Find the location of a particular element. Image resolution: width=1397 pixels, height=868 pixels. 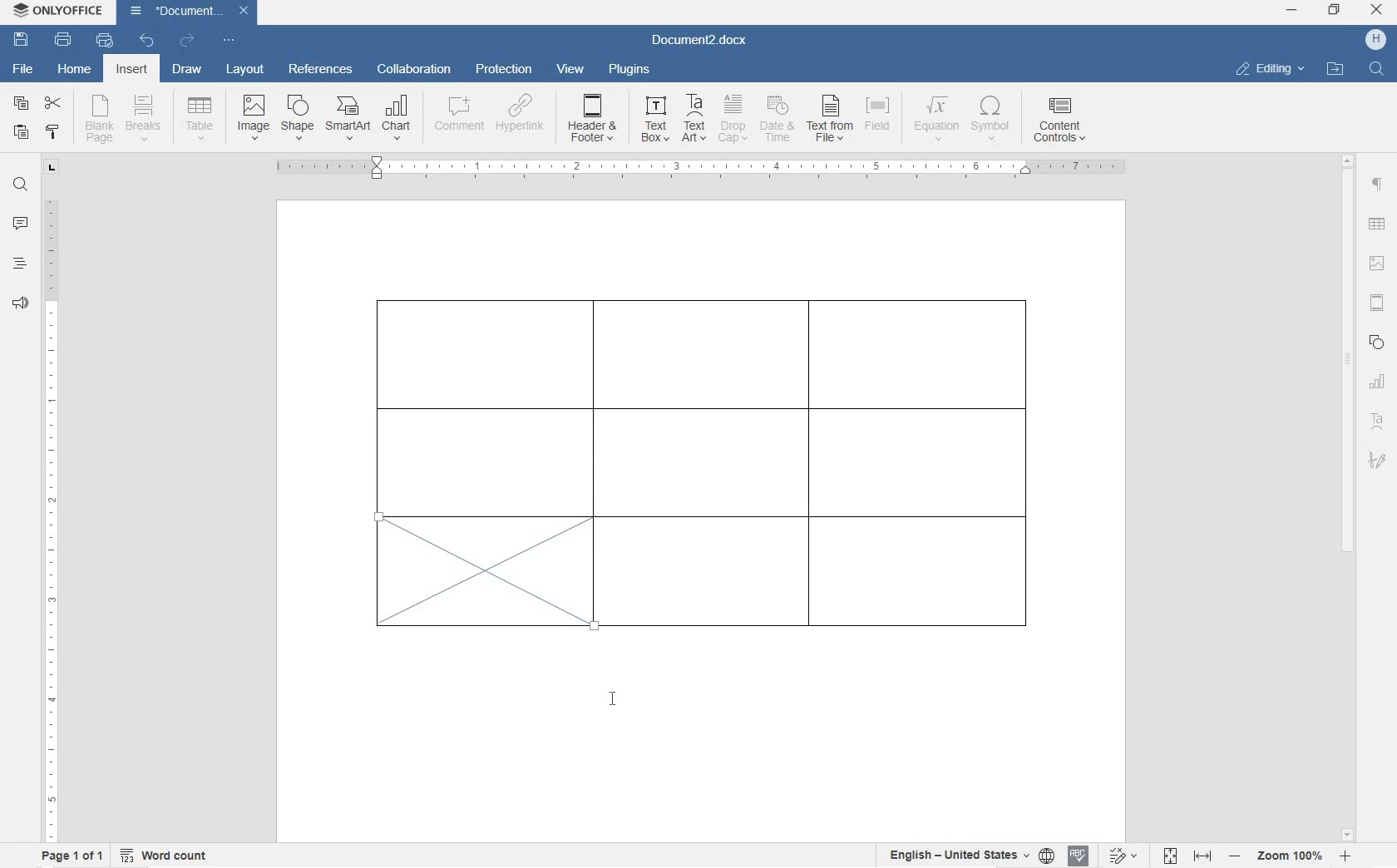

insert image is located at coordinates (254, 116).